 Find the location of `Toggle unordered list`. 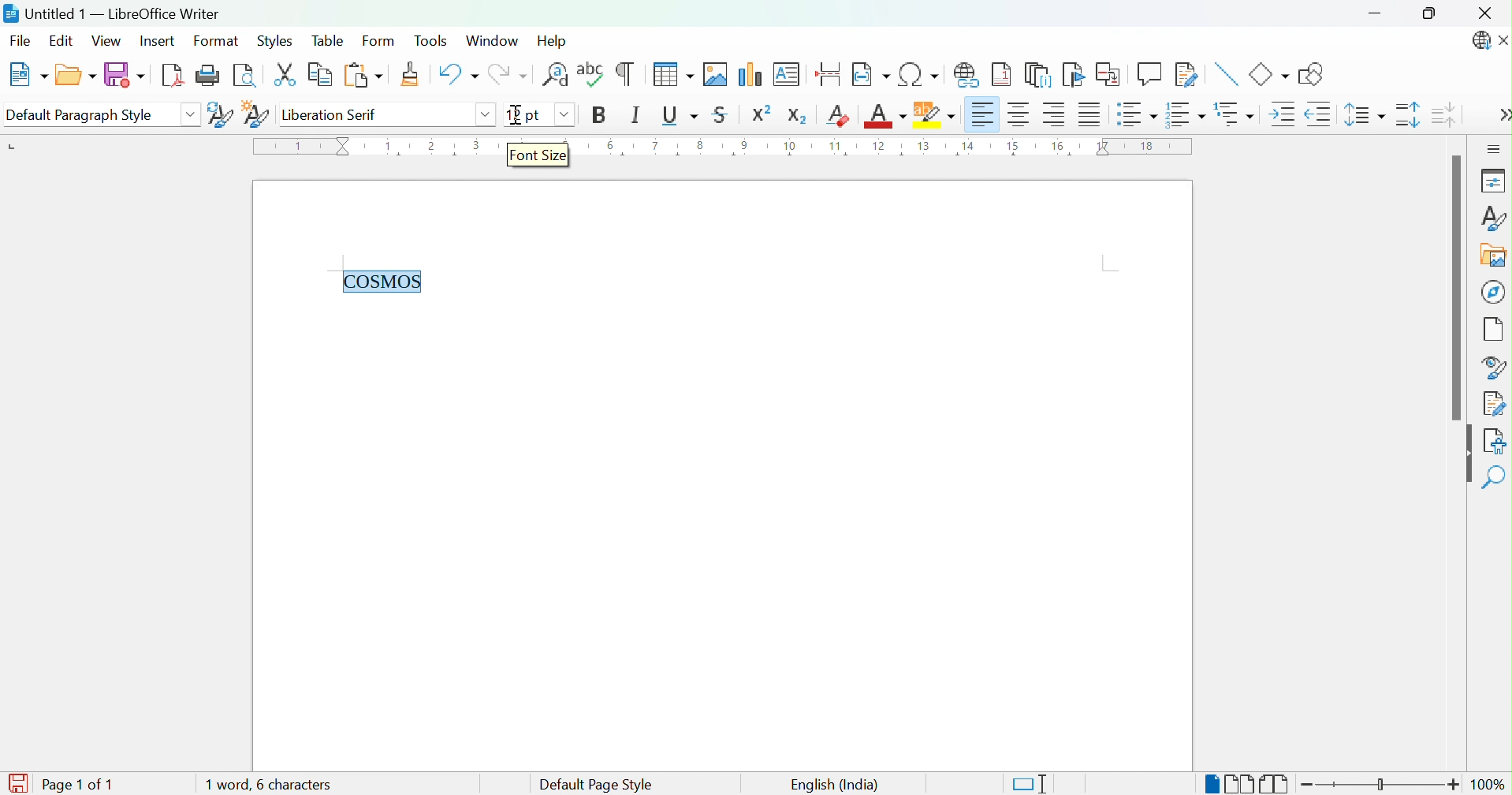

Toggle unordered list is located at coordinates (1136, 116).